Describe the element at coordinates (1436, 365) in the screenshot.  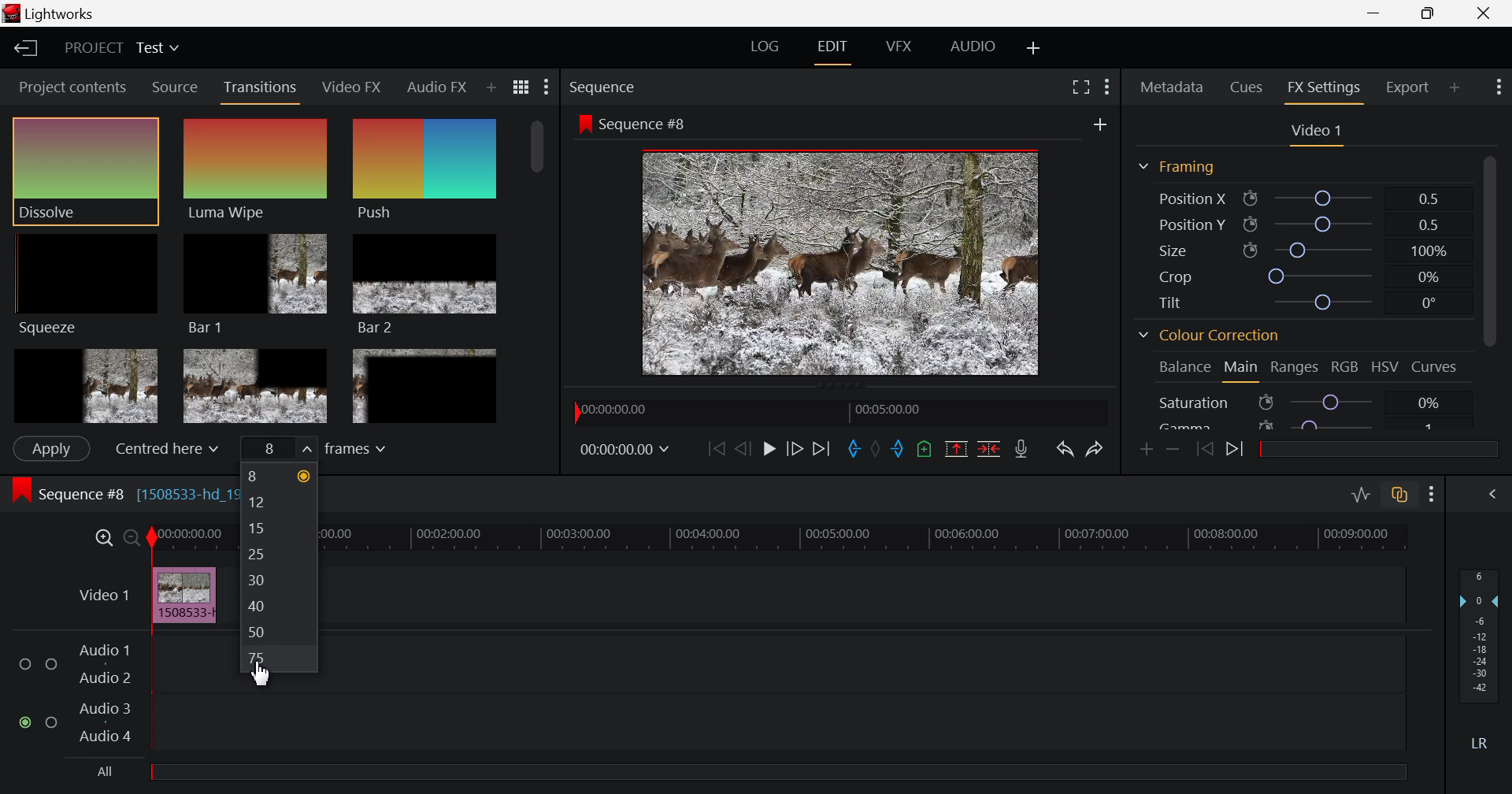
I see `Curves` at that location.